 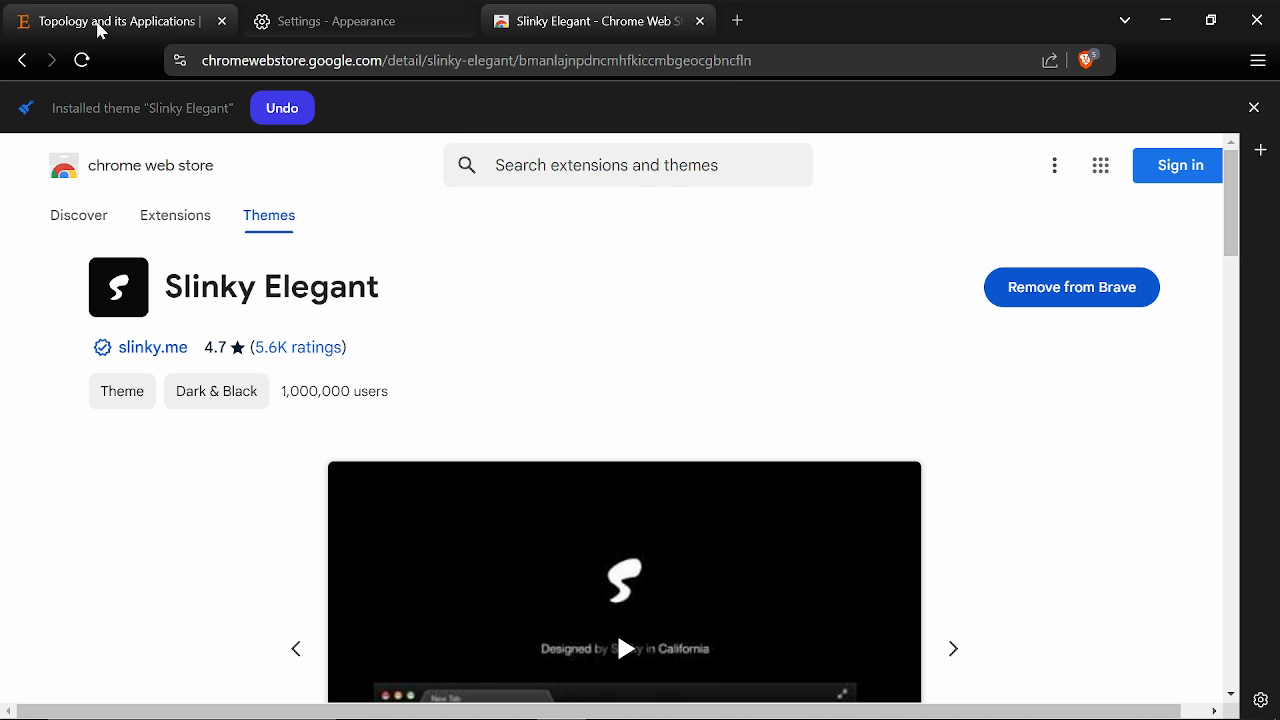 What do you see at coordinates (578, 23) in the screenshot?
I see `Current tab` at bounding box center [578, 23].